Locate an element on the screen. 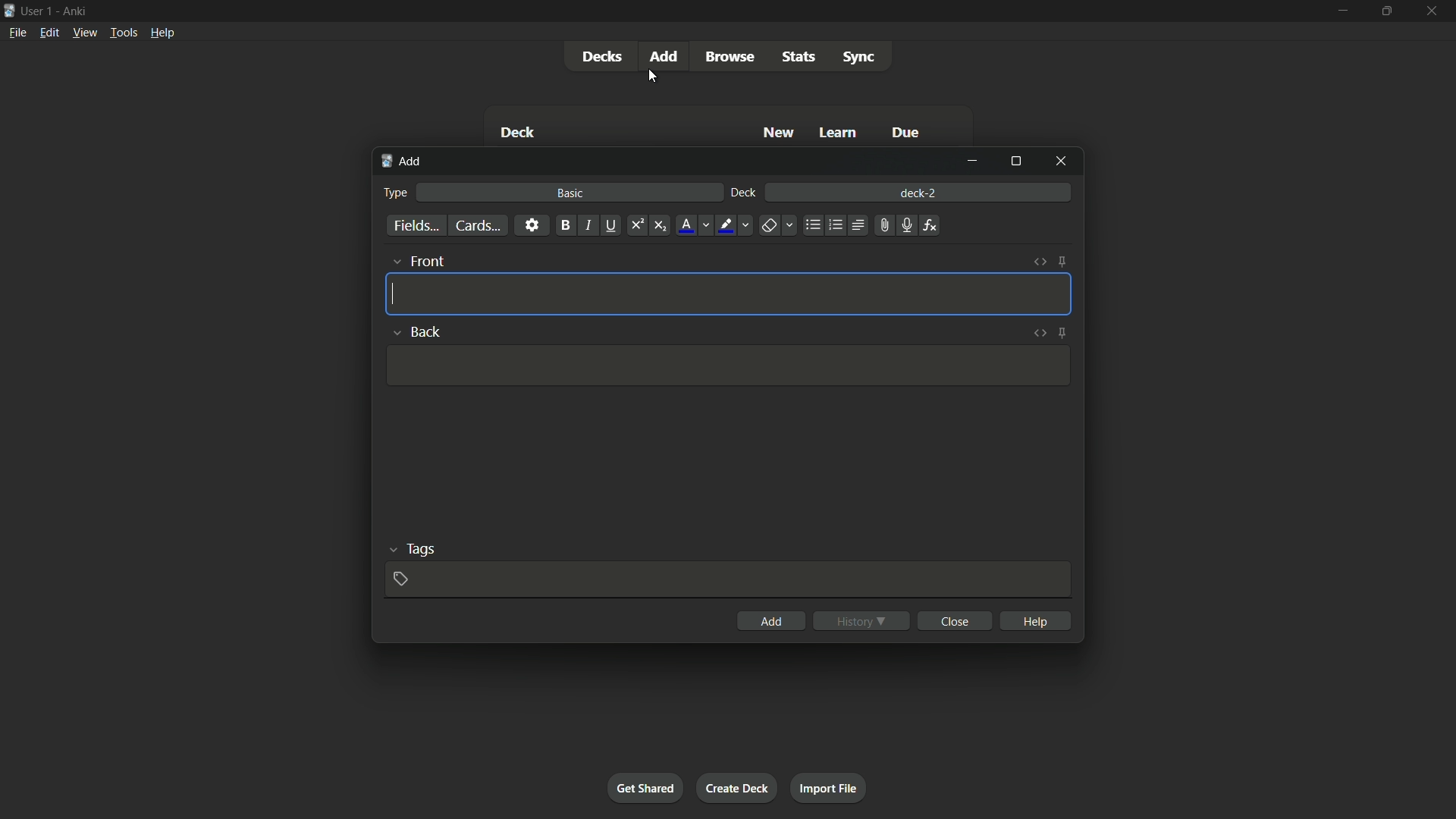  toggle sticky is located at coordinates (1062, 332).